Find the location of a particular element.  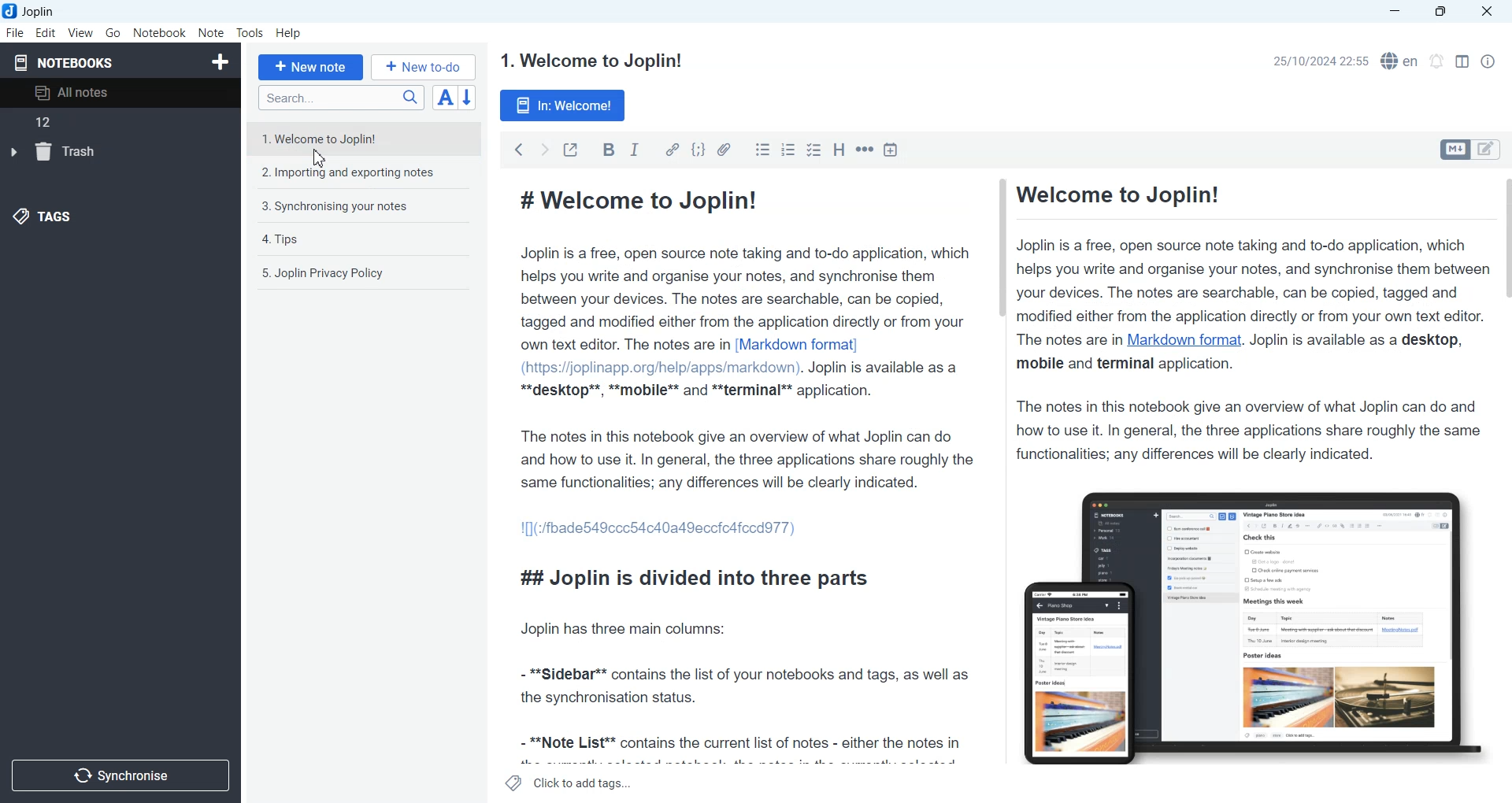

3. Synchronising your notes is located at coordinates (335, 207).